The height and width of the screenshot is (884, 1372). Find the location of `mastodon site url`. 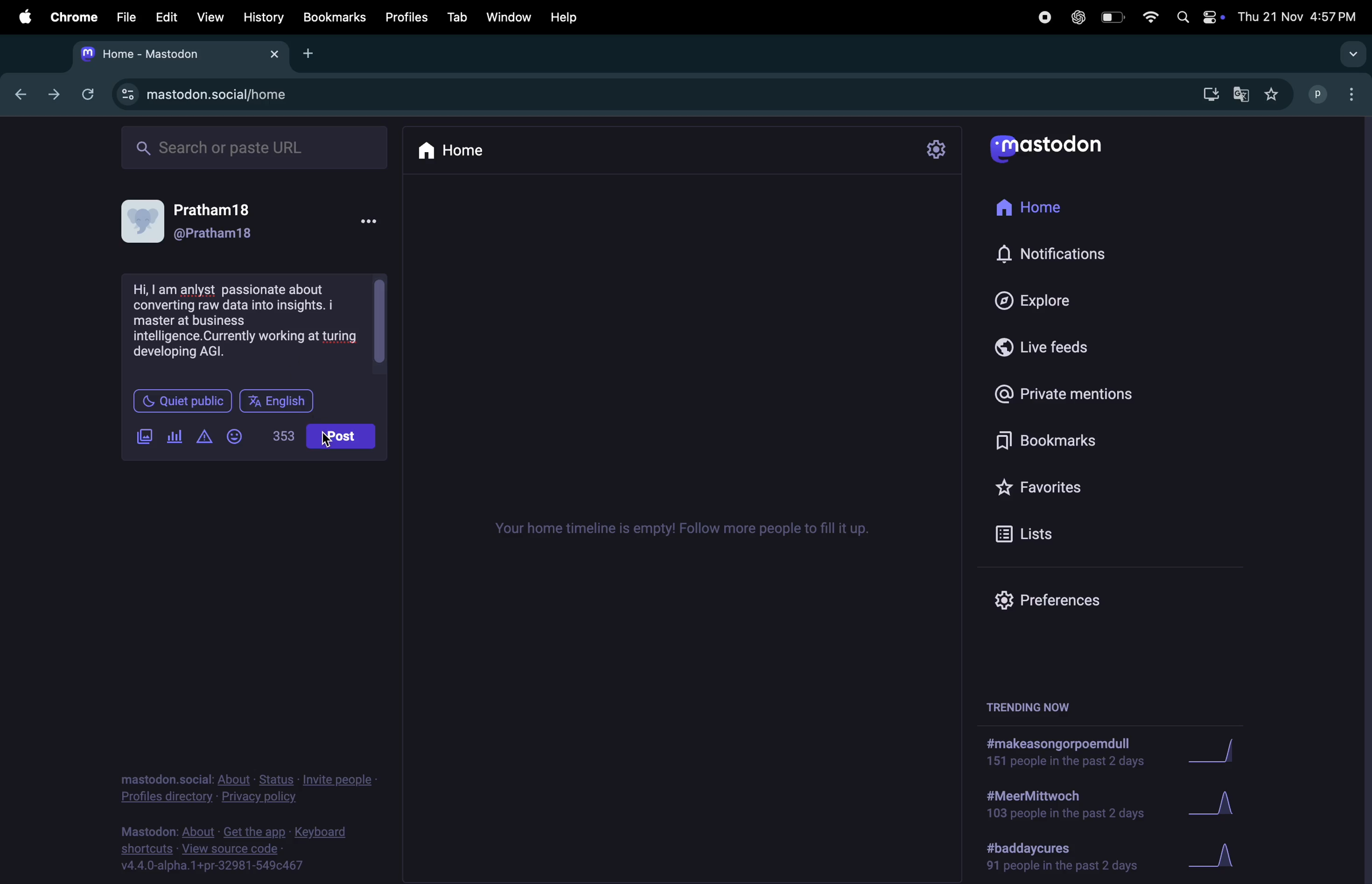

mastodon site url is located at coordinates (238, 96).